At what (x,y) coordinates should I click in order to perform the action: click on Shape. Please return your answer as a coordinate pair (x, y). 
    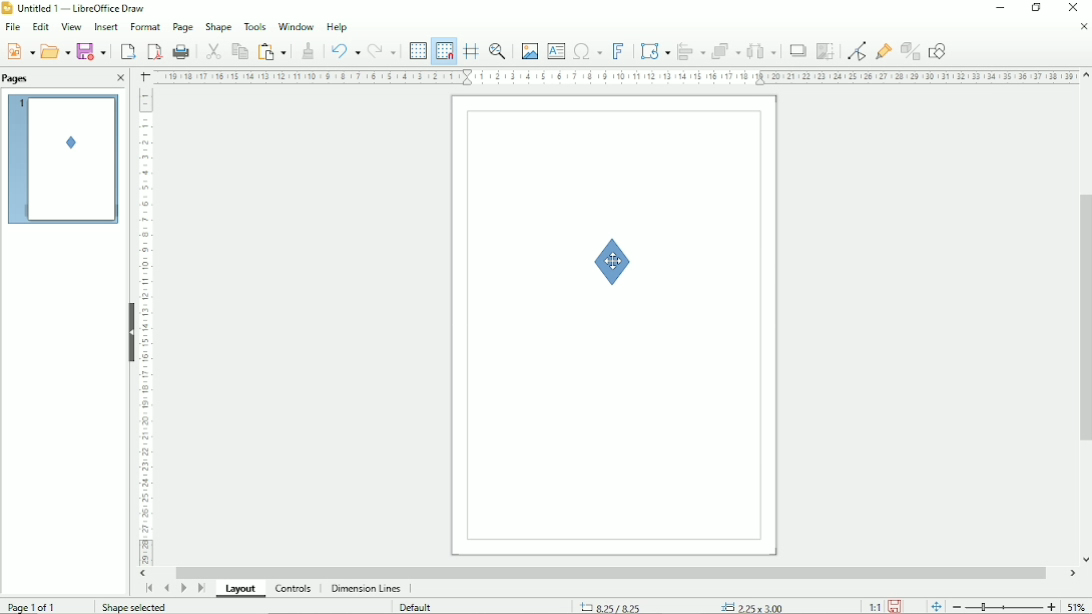
    Looking at the image, I should click on (616, 262).